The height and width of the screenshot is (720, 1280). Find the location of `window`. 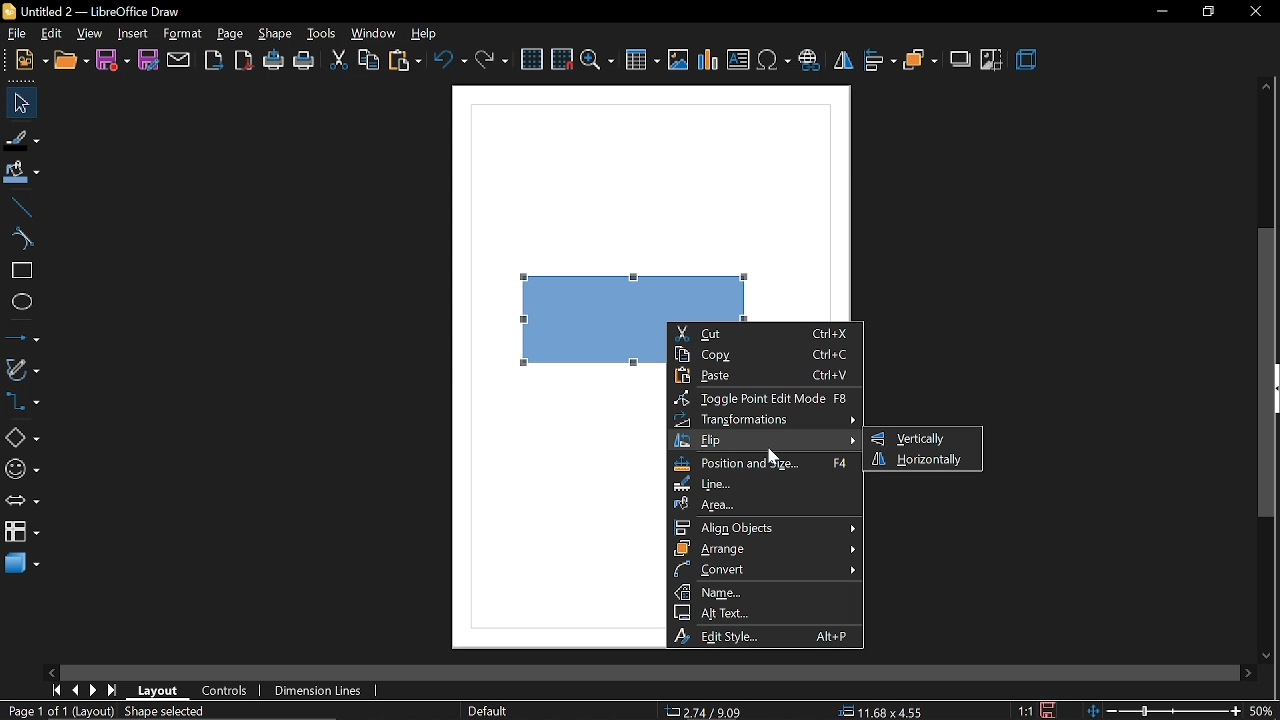

window is located at coordinates (375, 33).